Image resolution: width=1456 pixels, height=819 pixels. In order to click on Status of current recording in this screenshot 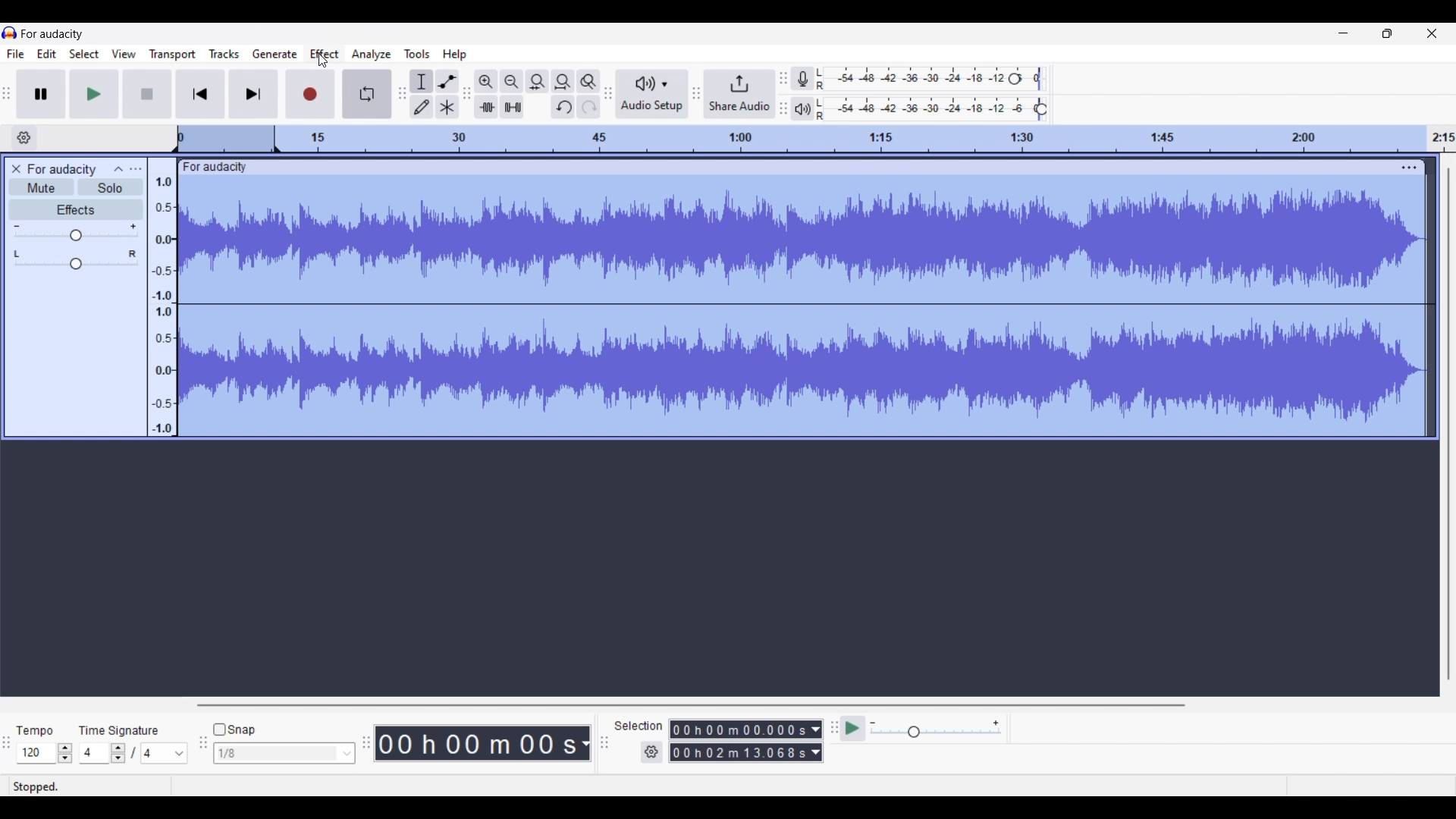, I will do `click(88, 787)`.